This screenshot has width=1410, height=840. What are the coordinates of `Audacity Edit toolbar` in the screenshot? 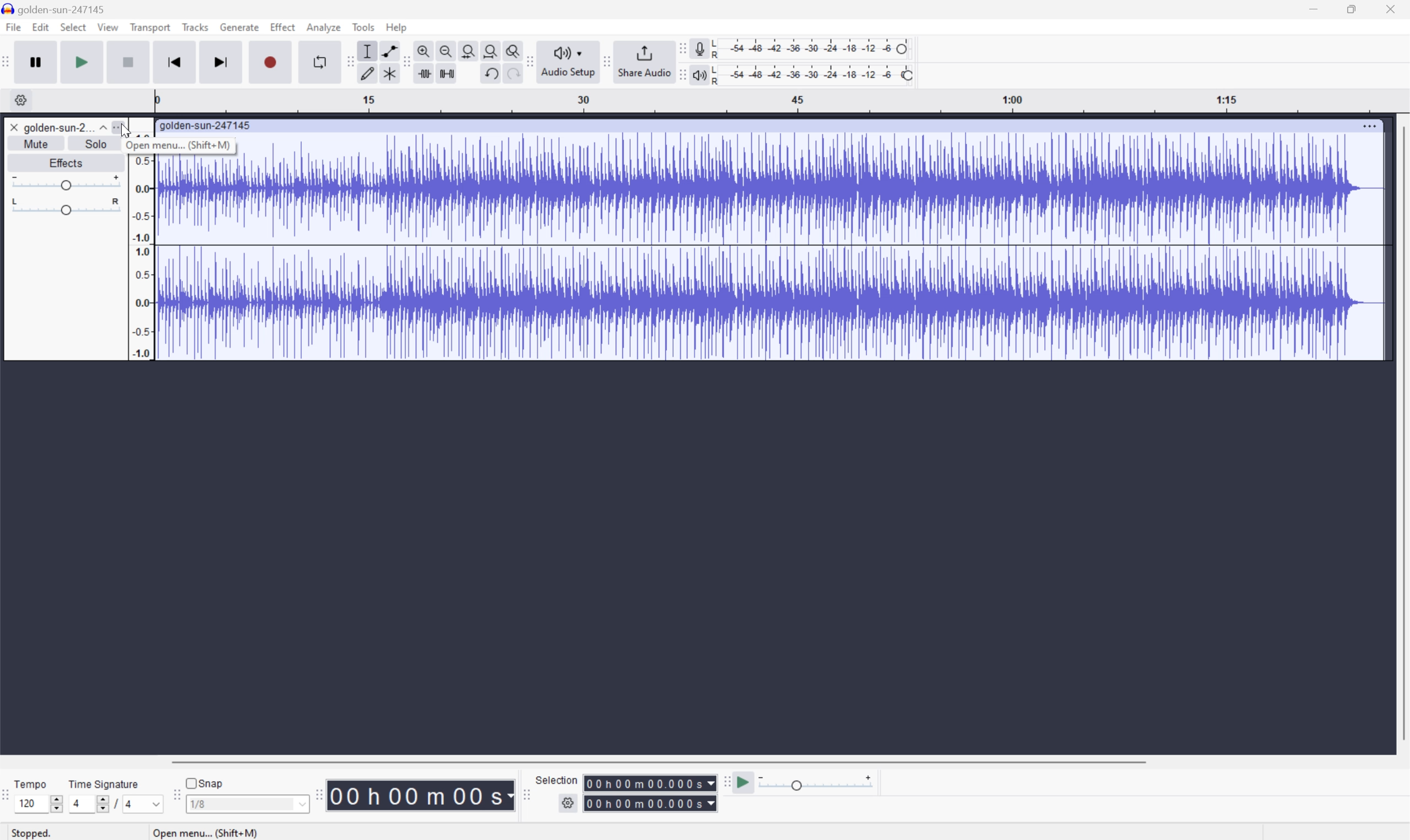 It's located at (405, 61).